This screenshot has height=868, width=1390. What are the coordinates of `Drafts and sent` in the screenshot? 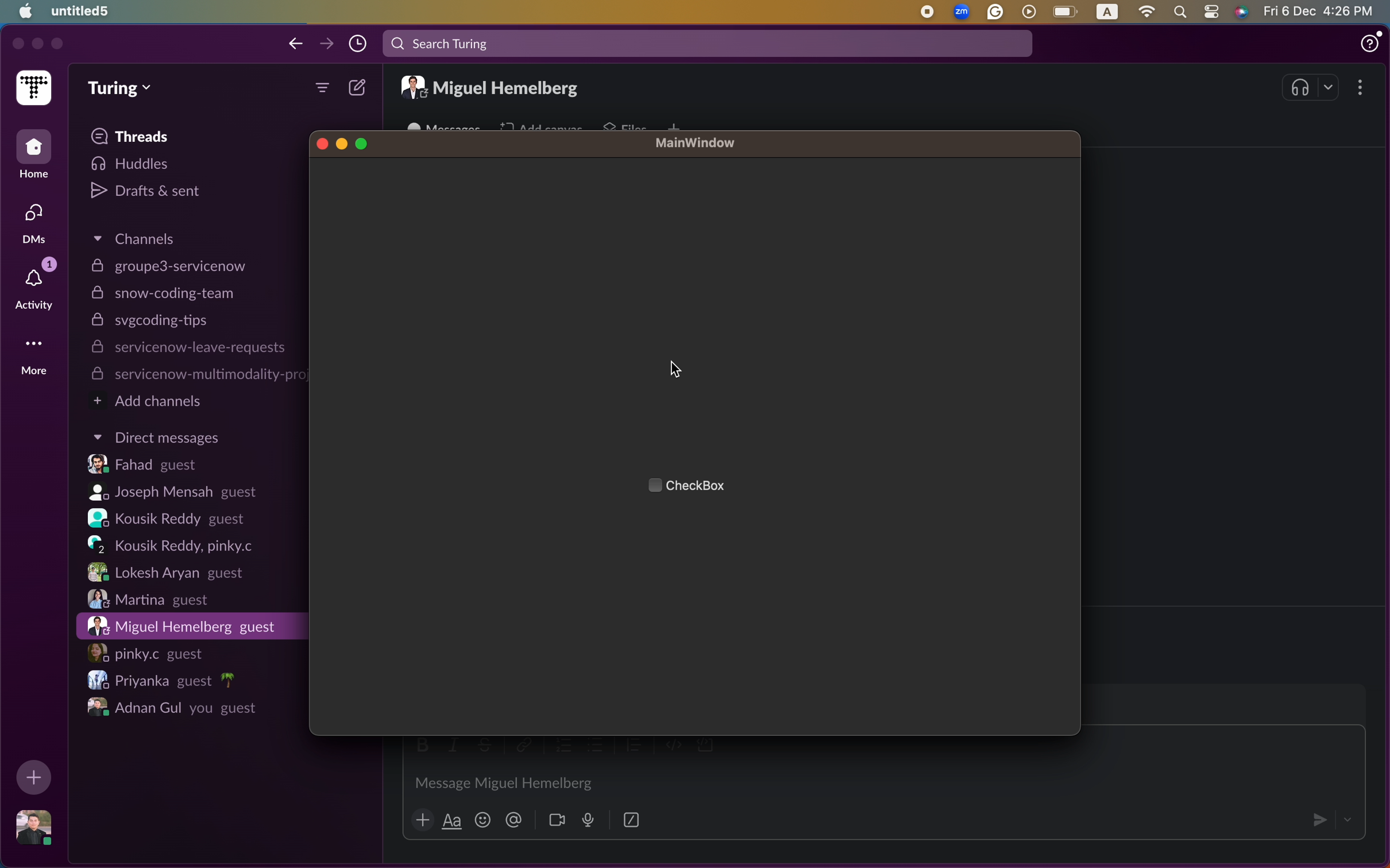 It's located at (150, 193).